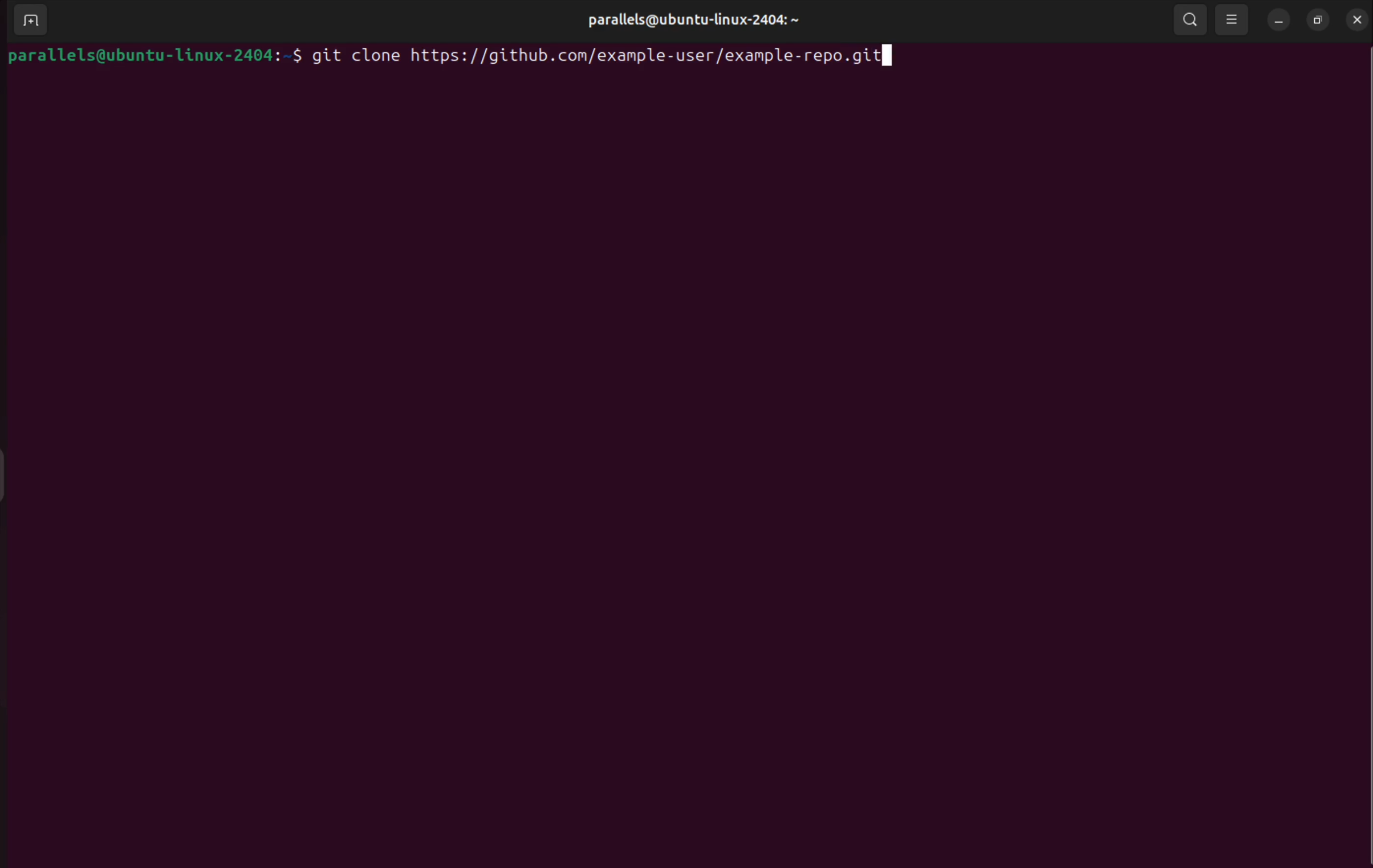 This screenshot has width=1373, height=868. Describe the element at coordinates (613, 55) in the screenshot. I see `git clone https://github.com/example-user/example-repo.git` at that location.